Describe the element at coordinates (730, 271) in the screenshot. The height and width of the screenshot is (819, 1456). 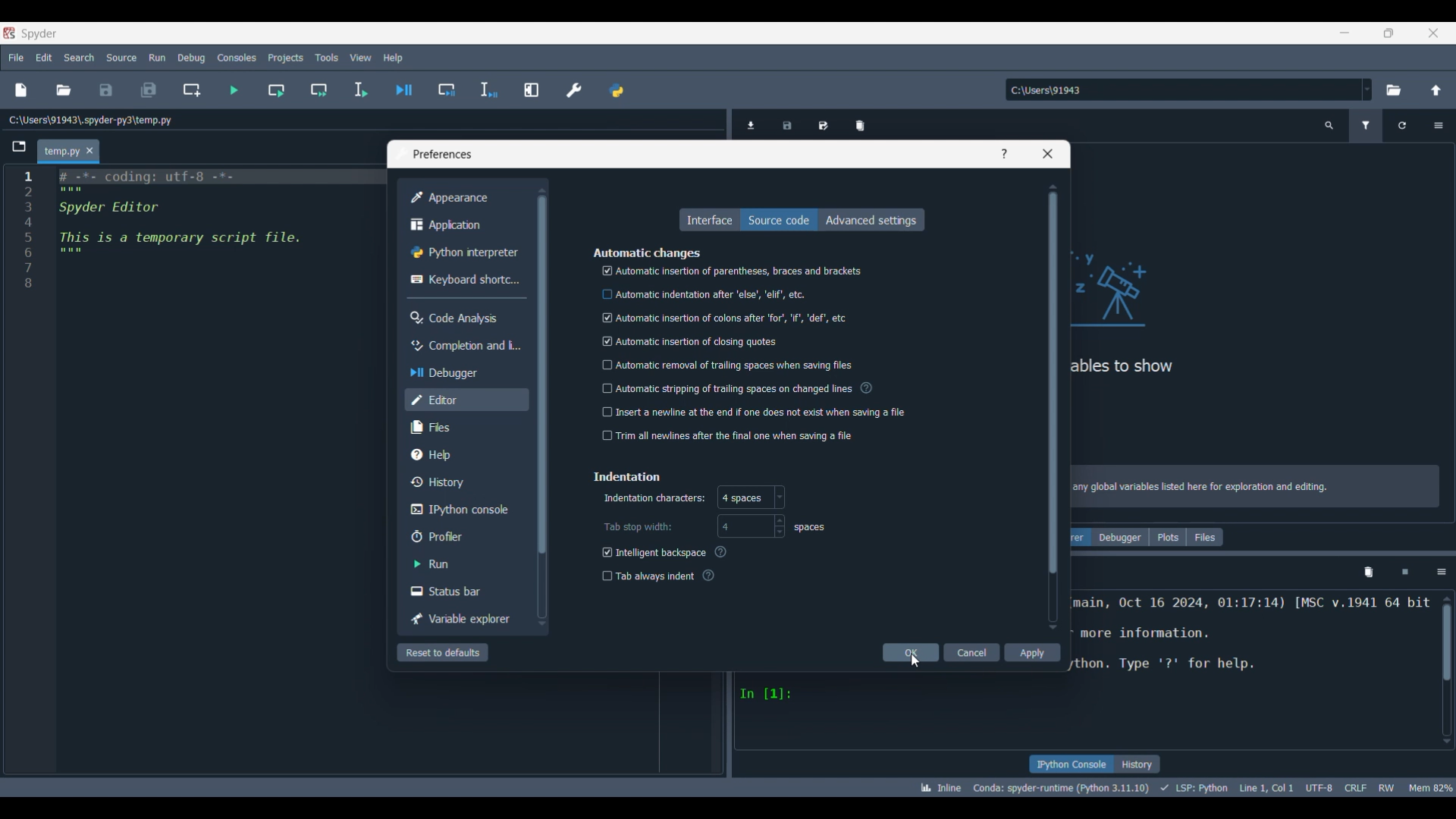
I see `Automatic insertion of parentheses, braces and brackets` at that location.